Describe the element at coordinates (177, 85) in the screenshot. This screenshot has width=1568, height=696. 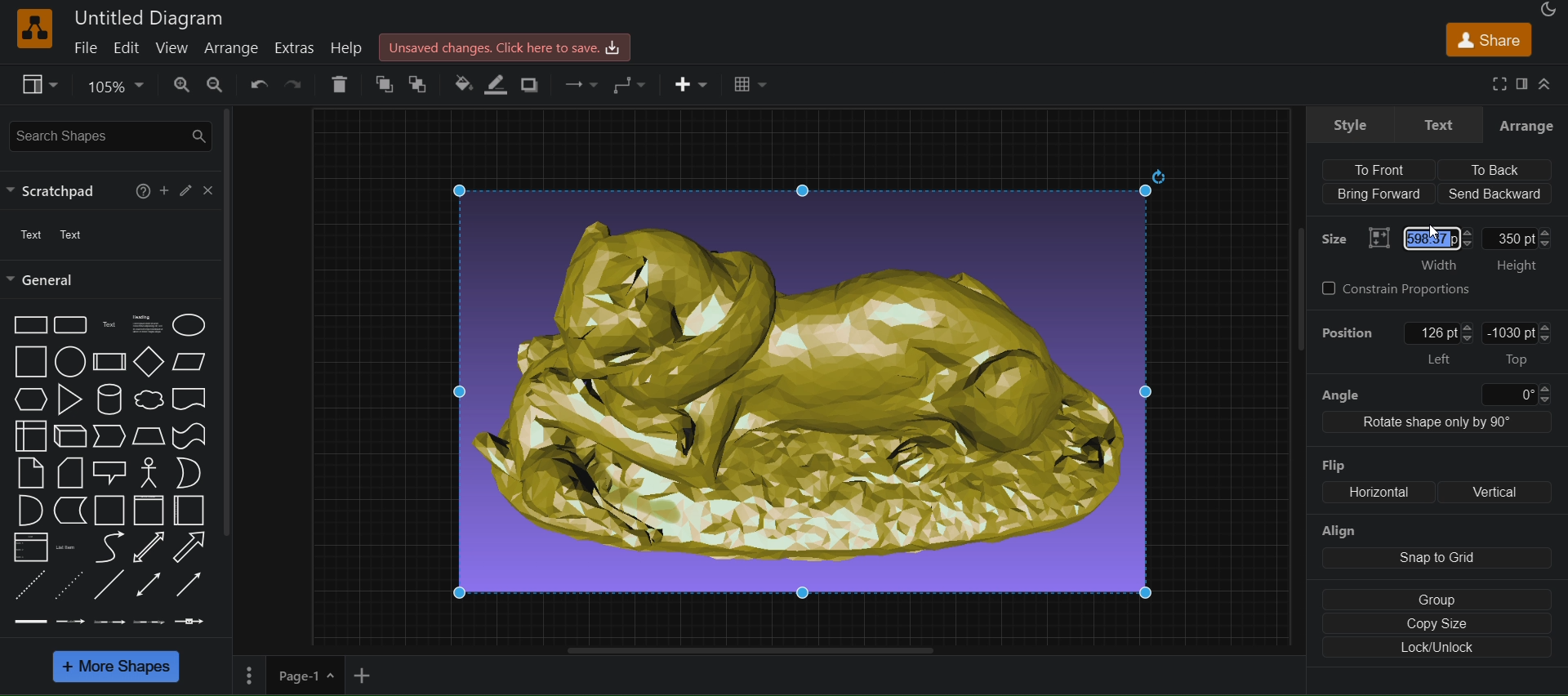
I see `zoom in` at that location.